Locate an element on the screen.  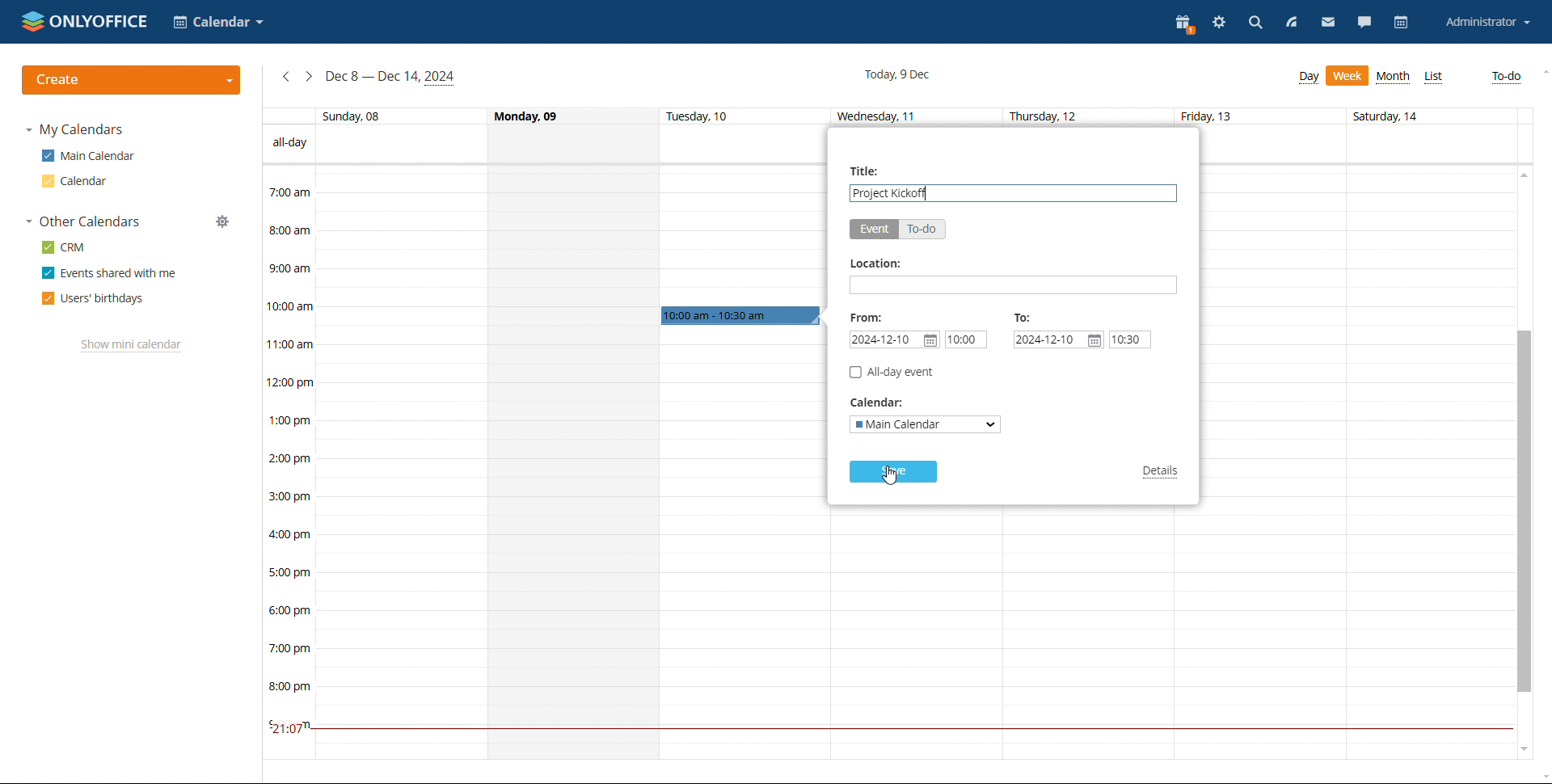
talk is located at coordinates (1363, 23).